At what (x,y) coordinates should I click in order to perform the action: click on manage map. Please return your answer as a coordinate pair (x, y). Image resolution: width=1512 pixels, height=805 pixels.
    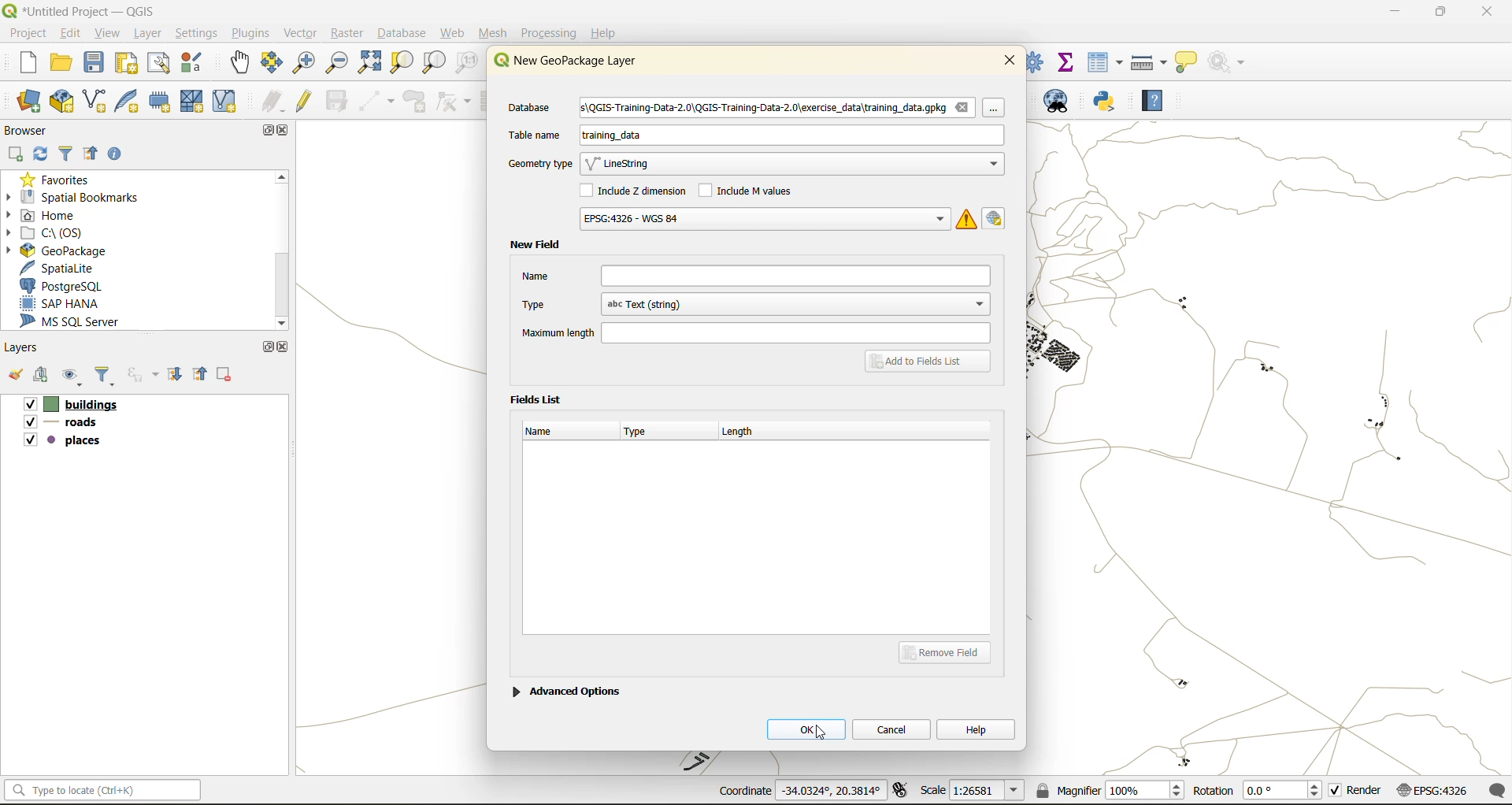
    Looking at the image, I should click on (74, 378).